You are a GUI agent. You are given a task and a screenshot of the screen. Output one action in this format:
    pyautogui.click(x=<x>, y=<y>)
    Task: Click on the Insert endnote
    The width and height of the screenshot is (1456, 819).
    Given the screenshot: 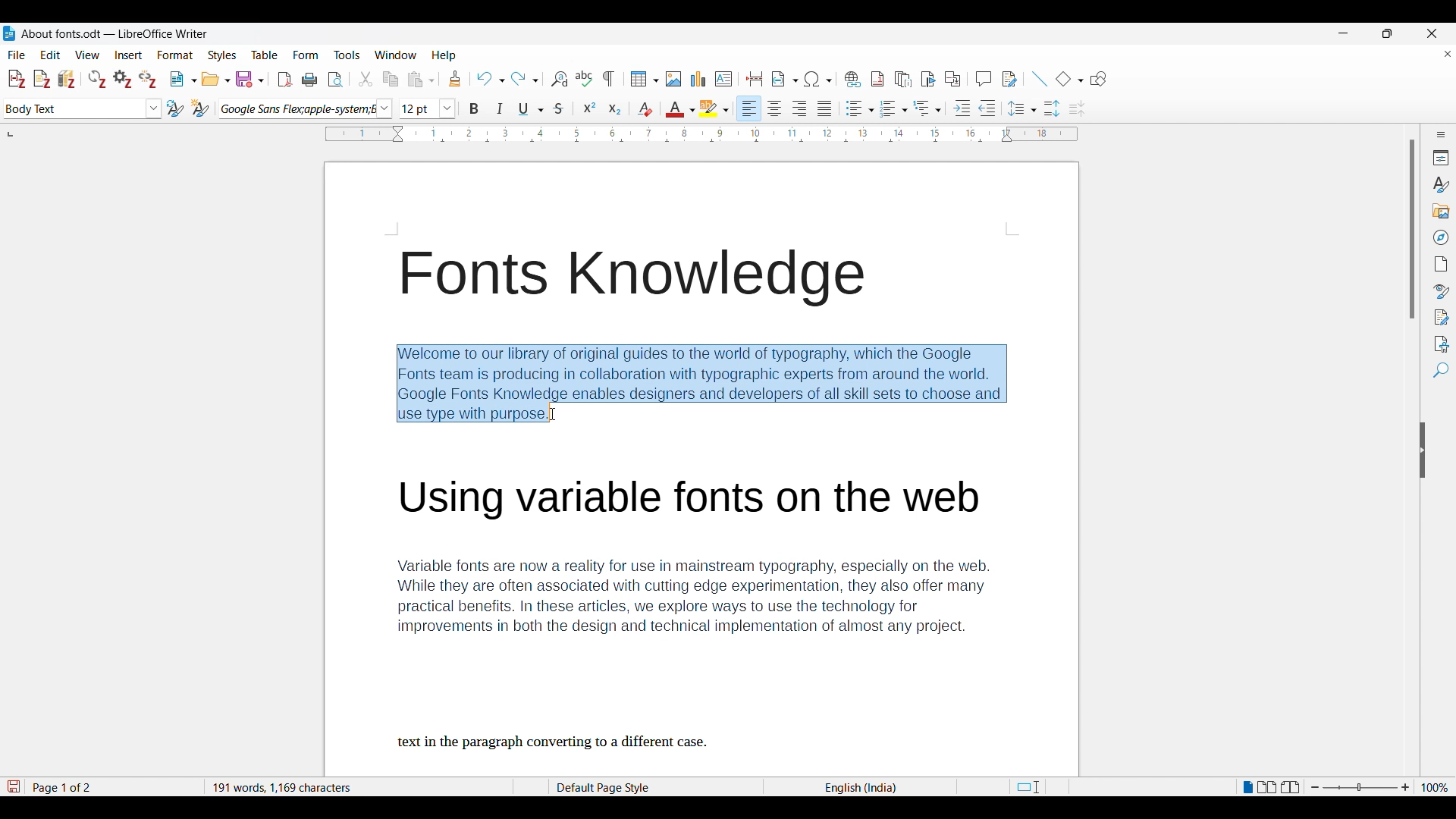 What is the action you would take?
    pyautogui.click(x=903, y=80)
    